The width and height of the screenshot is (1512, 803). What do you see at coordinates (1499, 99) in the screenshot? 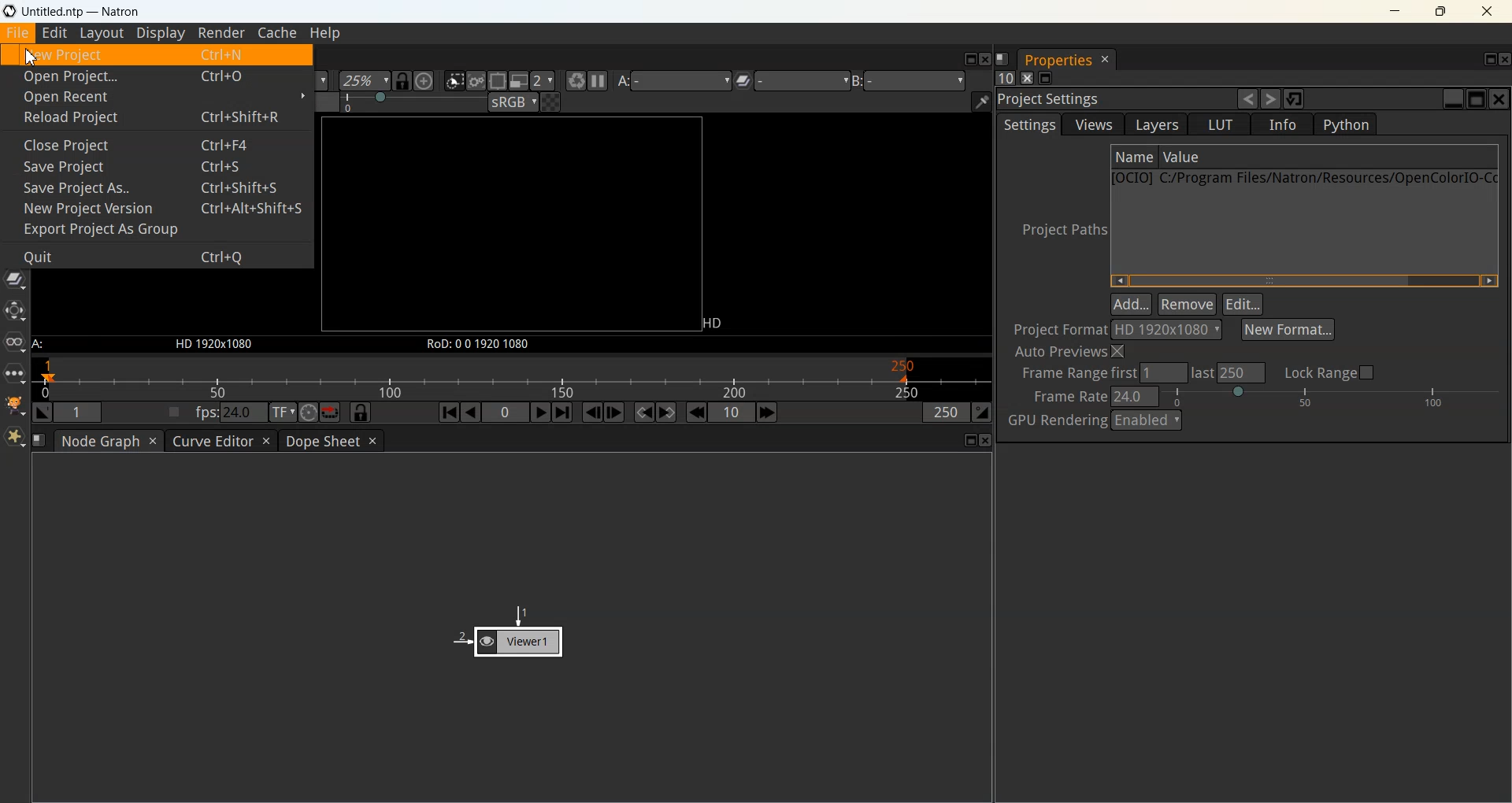
I see `Close` at bounding box center [1499, 99].